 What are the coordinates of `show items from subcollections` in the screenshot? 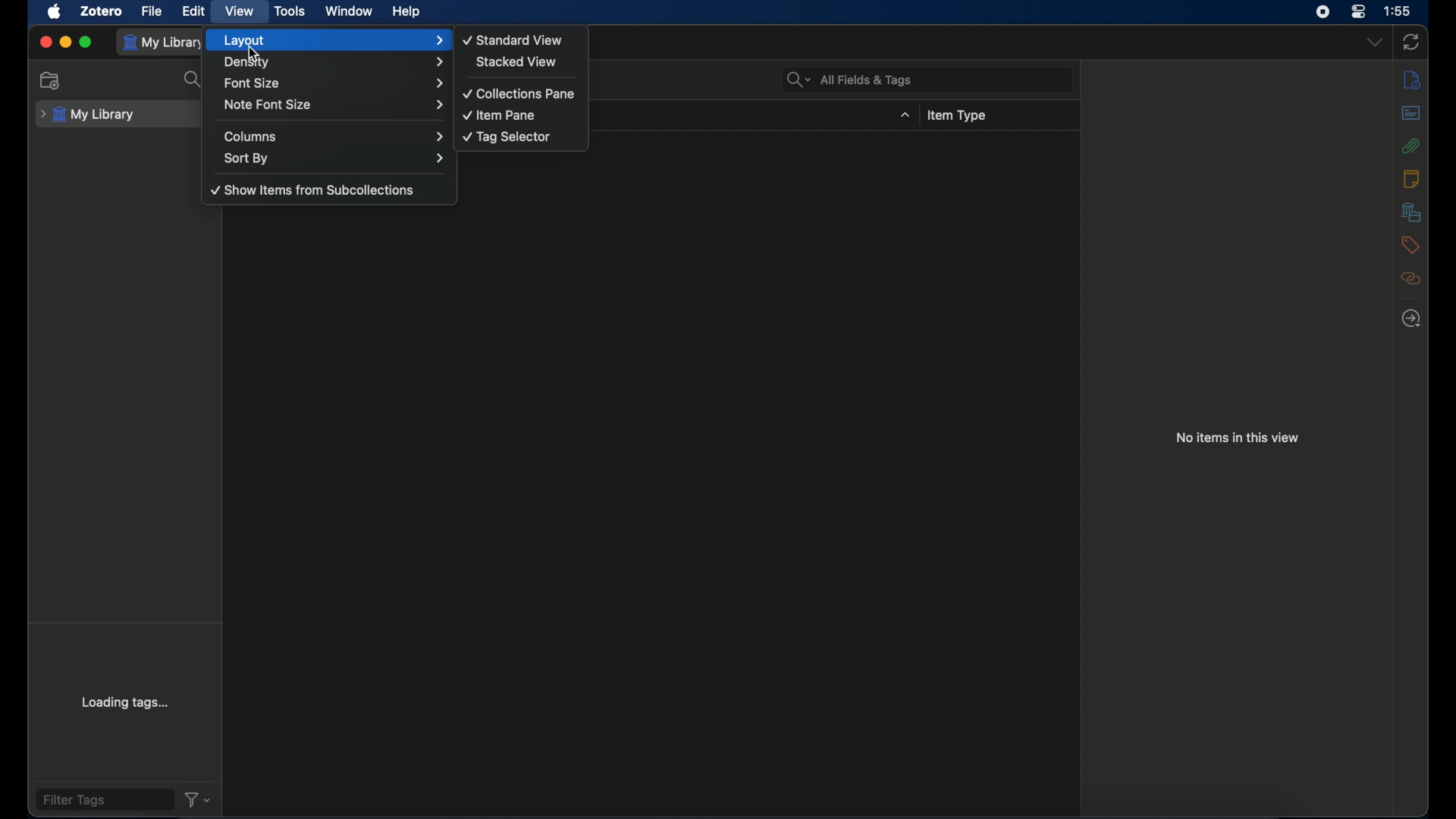 It's located at (313, 190).